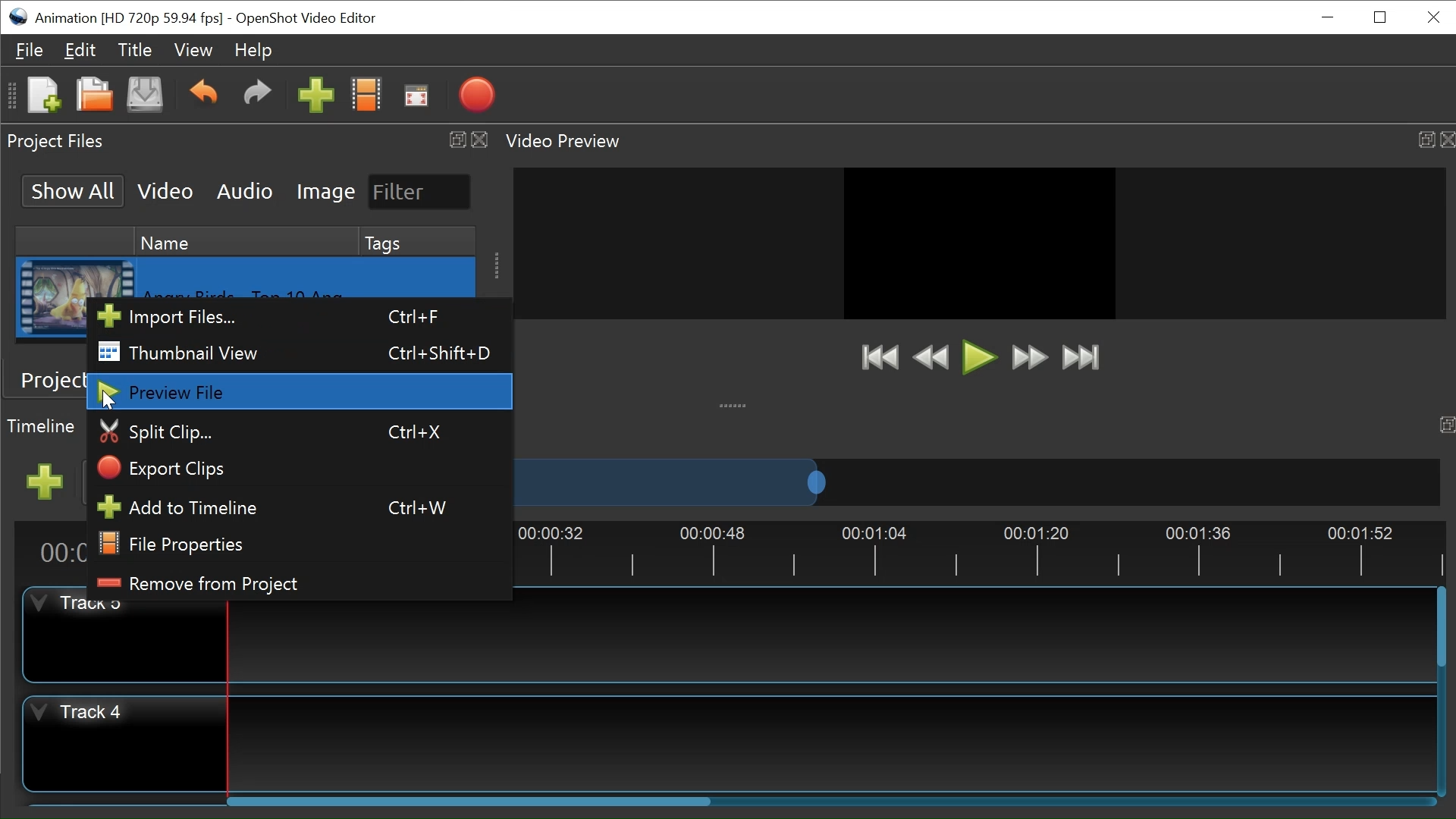 Image resolution: width=1456 pixels, height=819 pixels. What do you see at coordinates (301, 392) in the screenshot?
I see `Preview File` at bounding box center [301, 392].